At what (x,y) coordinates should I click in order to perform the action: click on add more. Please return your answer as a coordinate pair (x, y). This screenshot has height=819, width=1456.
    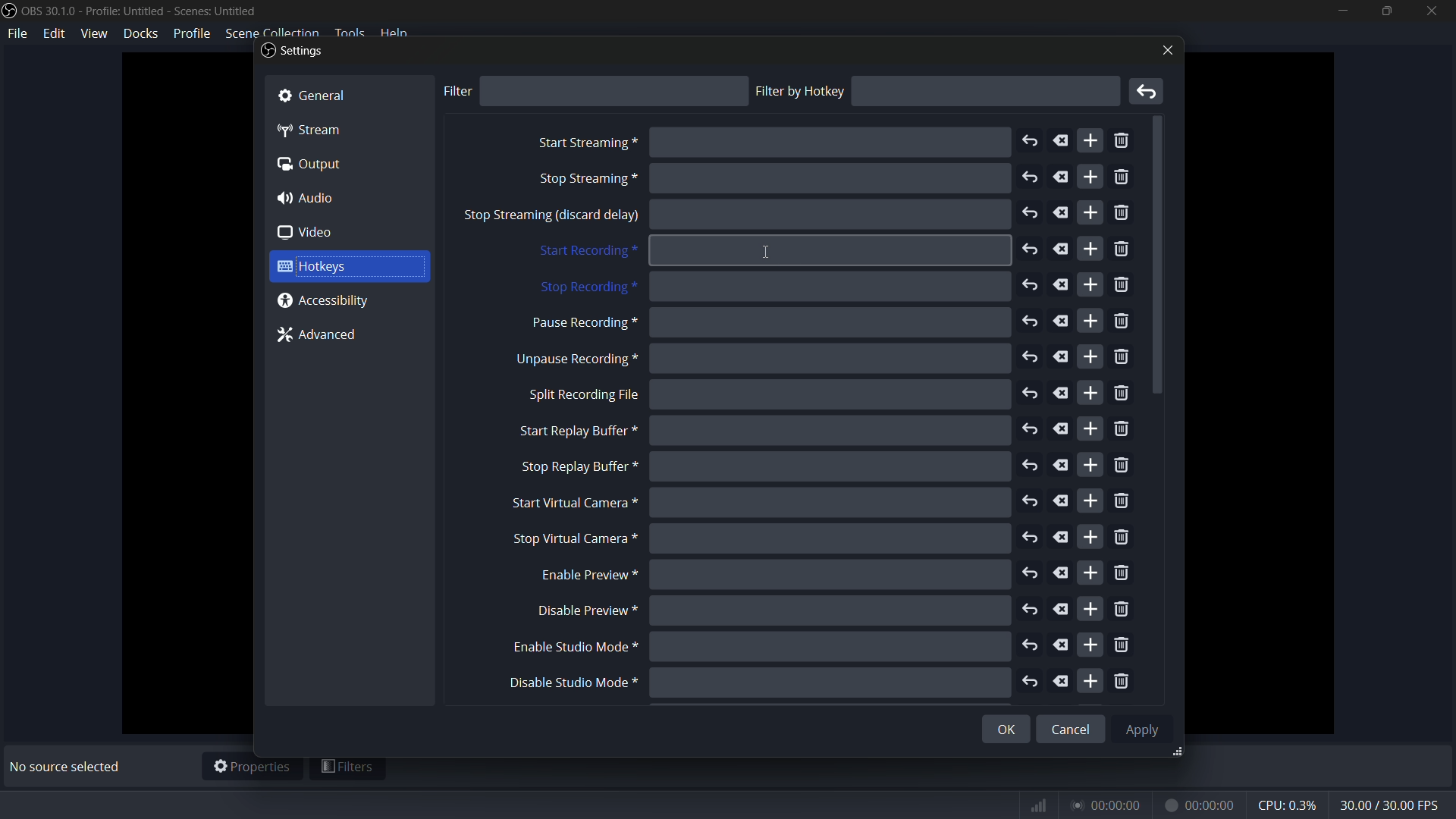
    Looking at the image, I should click on (1089, 428).